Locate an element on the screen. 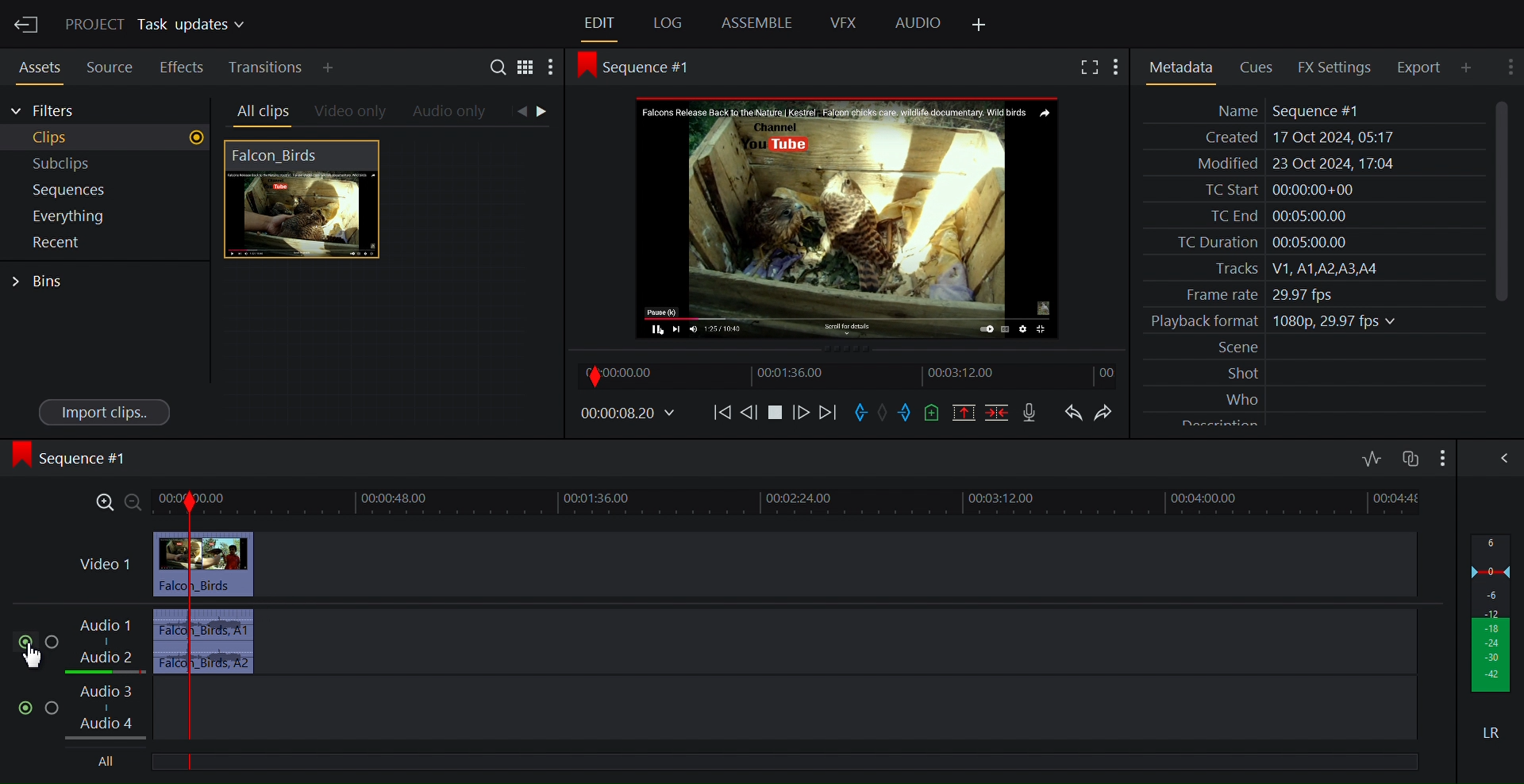  Videos only is located at coordinates (351, 113).